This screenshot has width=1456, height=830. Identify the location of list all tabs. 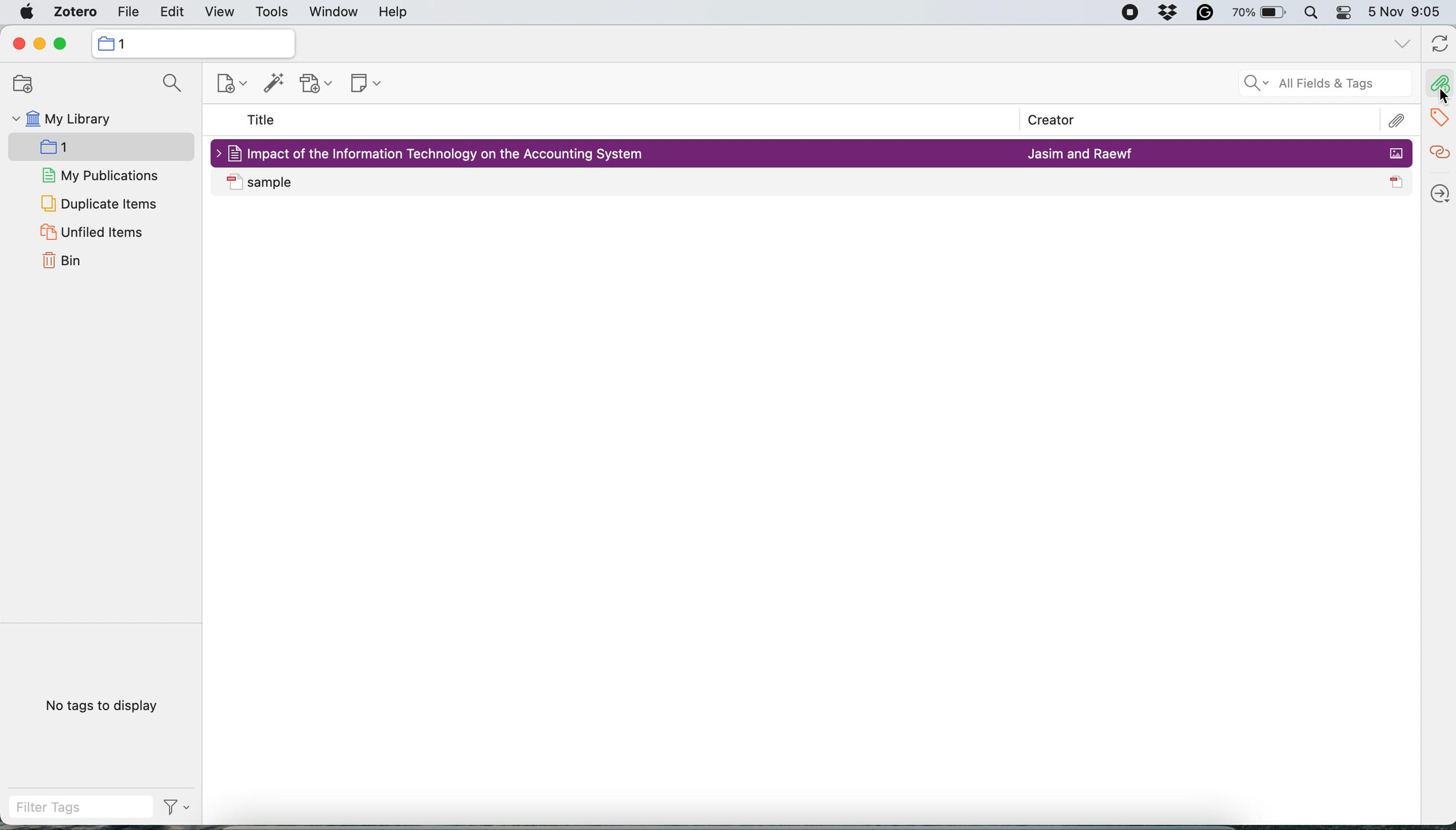
(1400, 44).